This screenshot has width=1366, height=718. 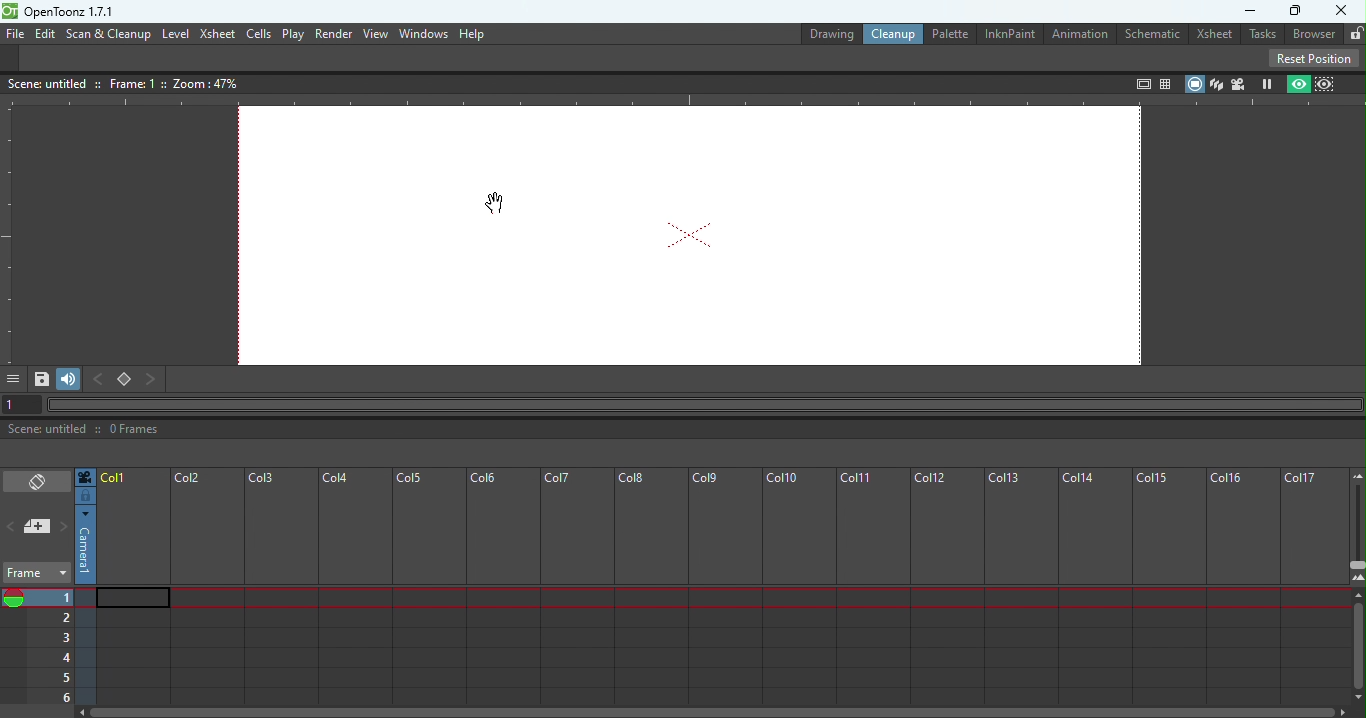 What do you see at coordinates (421, 34) in the screenshot?
I see `Window` at bounding box center [421, 34].